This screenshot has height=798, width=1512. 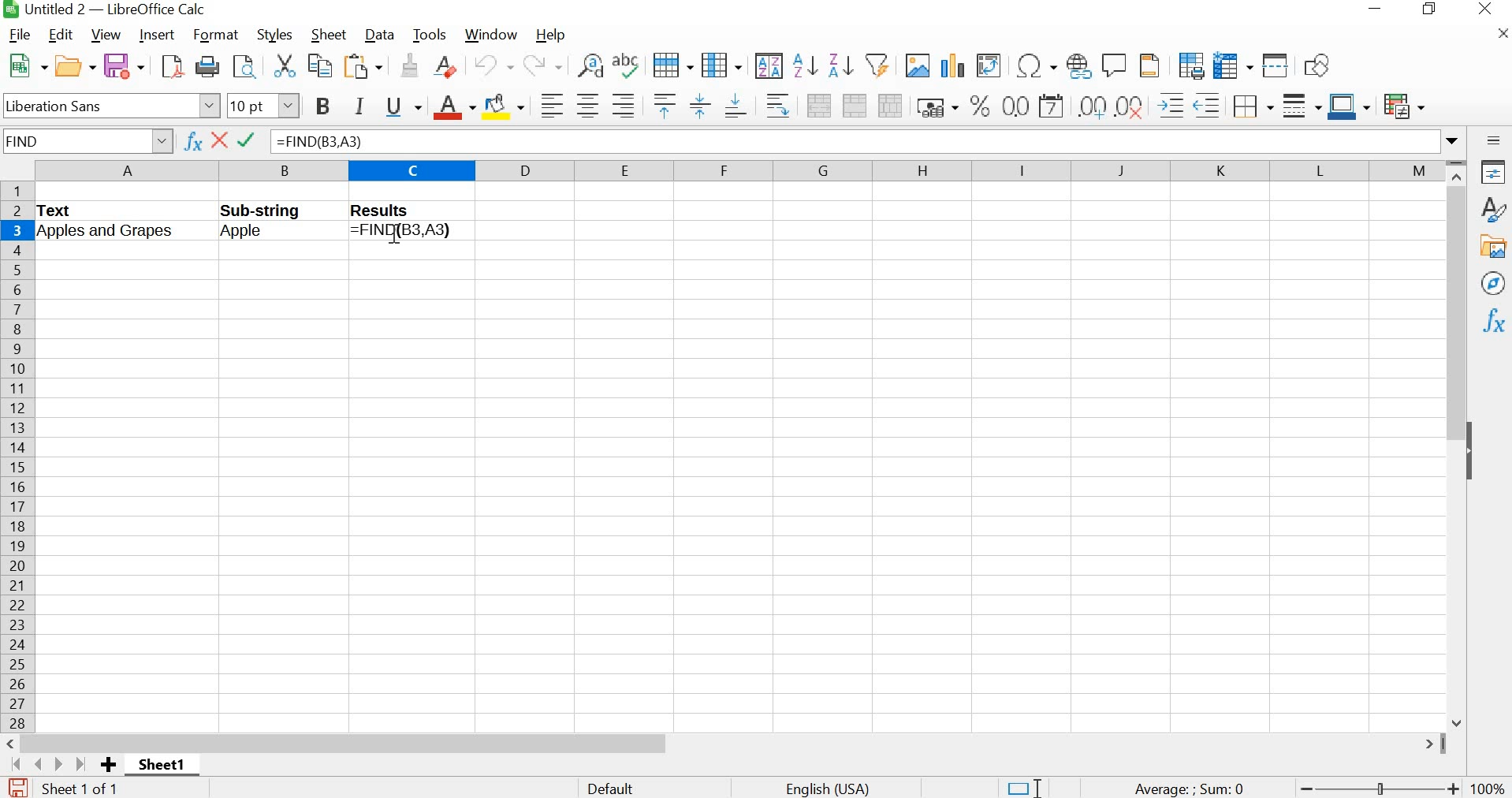 What do you see at coordinates (1052, 106) in the screenshot?
I see `format as date` at bounding box center [1052, 106].